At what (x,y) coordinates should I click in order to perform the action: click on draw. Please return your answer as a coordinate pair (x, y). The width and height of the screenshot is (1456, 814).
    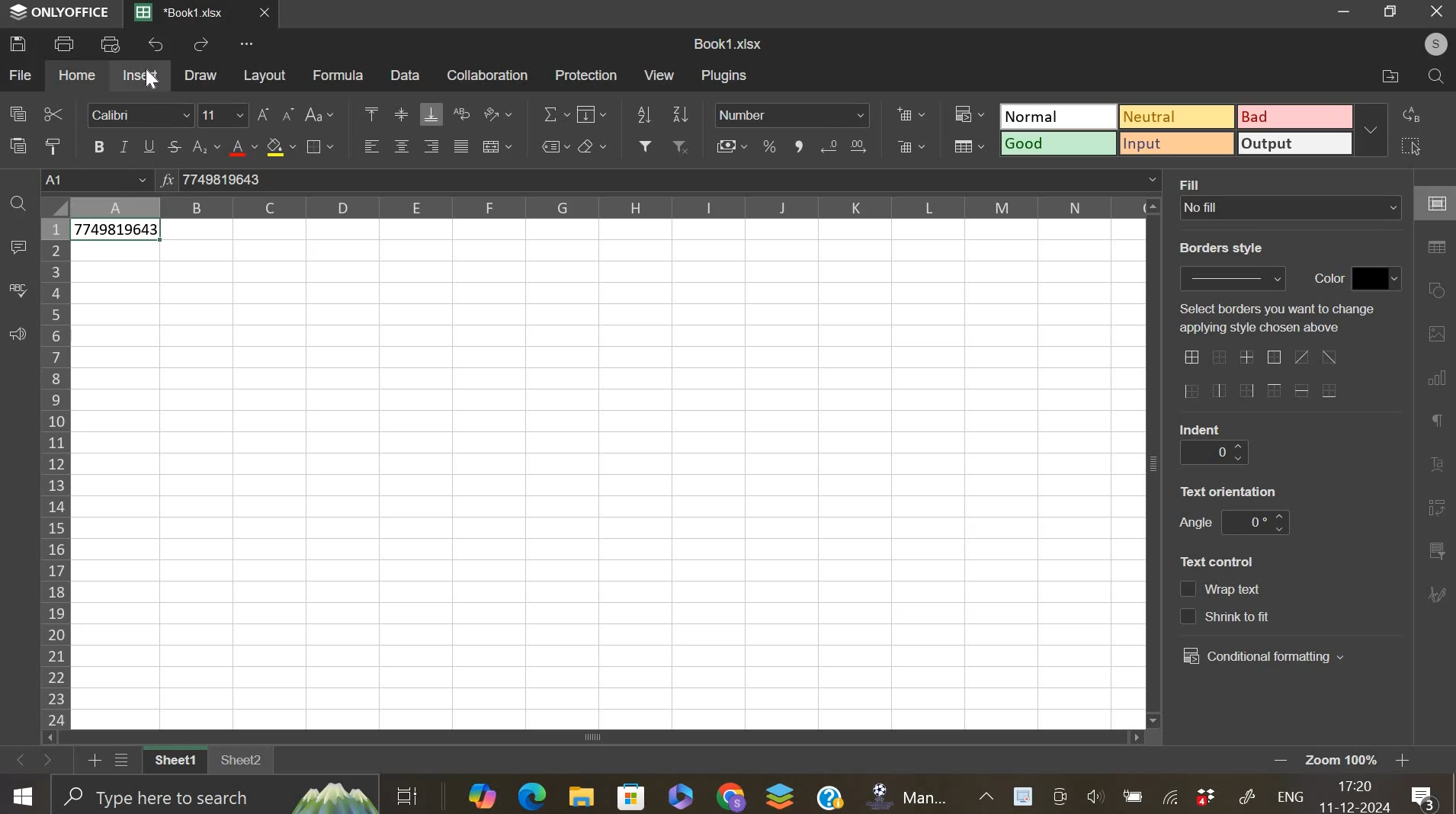
    Looking at the image, I should click on (201, 75).